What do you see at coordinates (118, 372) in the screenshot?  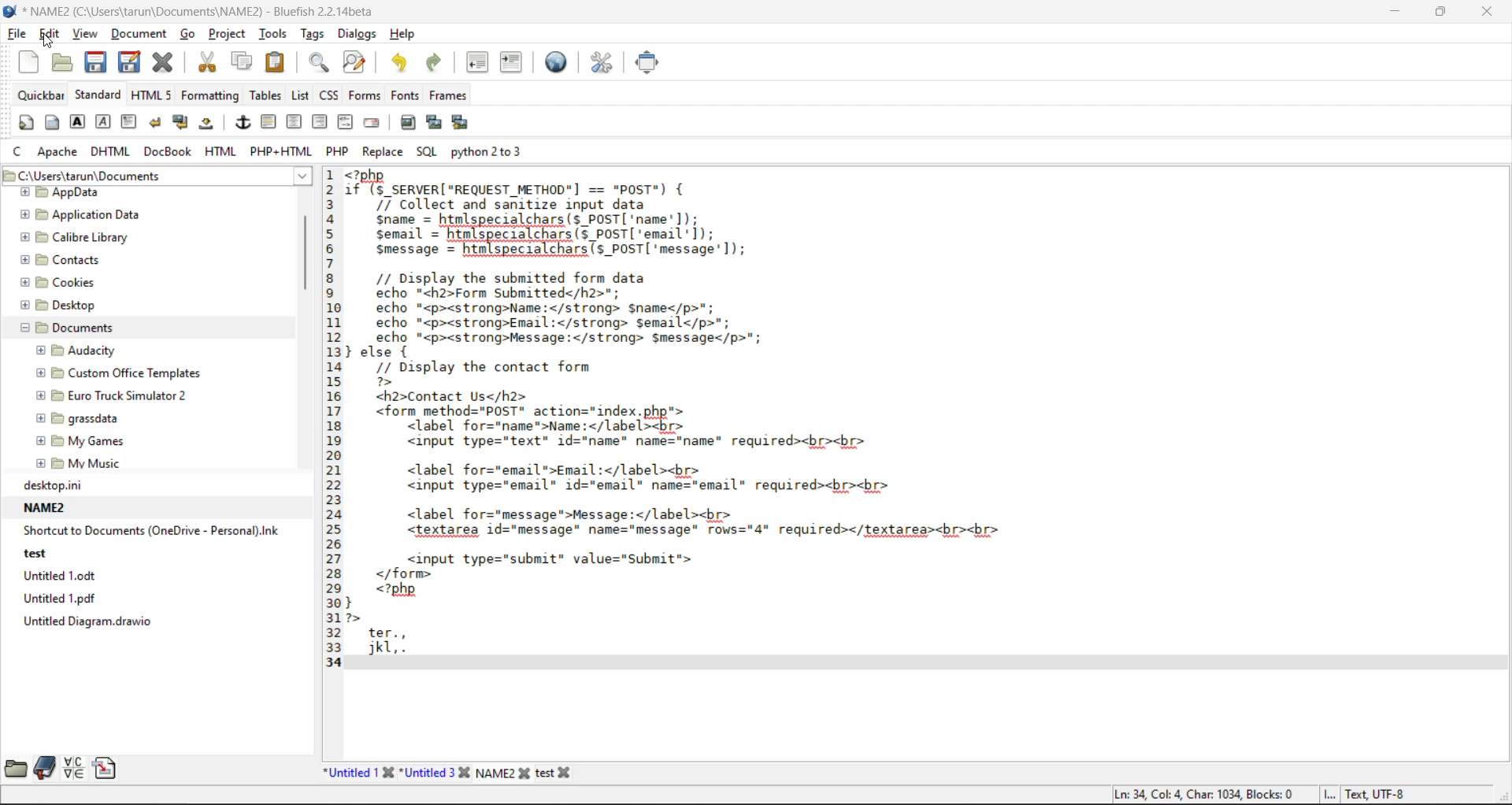 I see `@ [E Custom Office Templates` at bounding box center [118, 372].